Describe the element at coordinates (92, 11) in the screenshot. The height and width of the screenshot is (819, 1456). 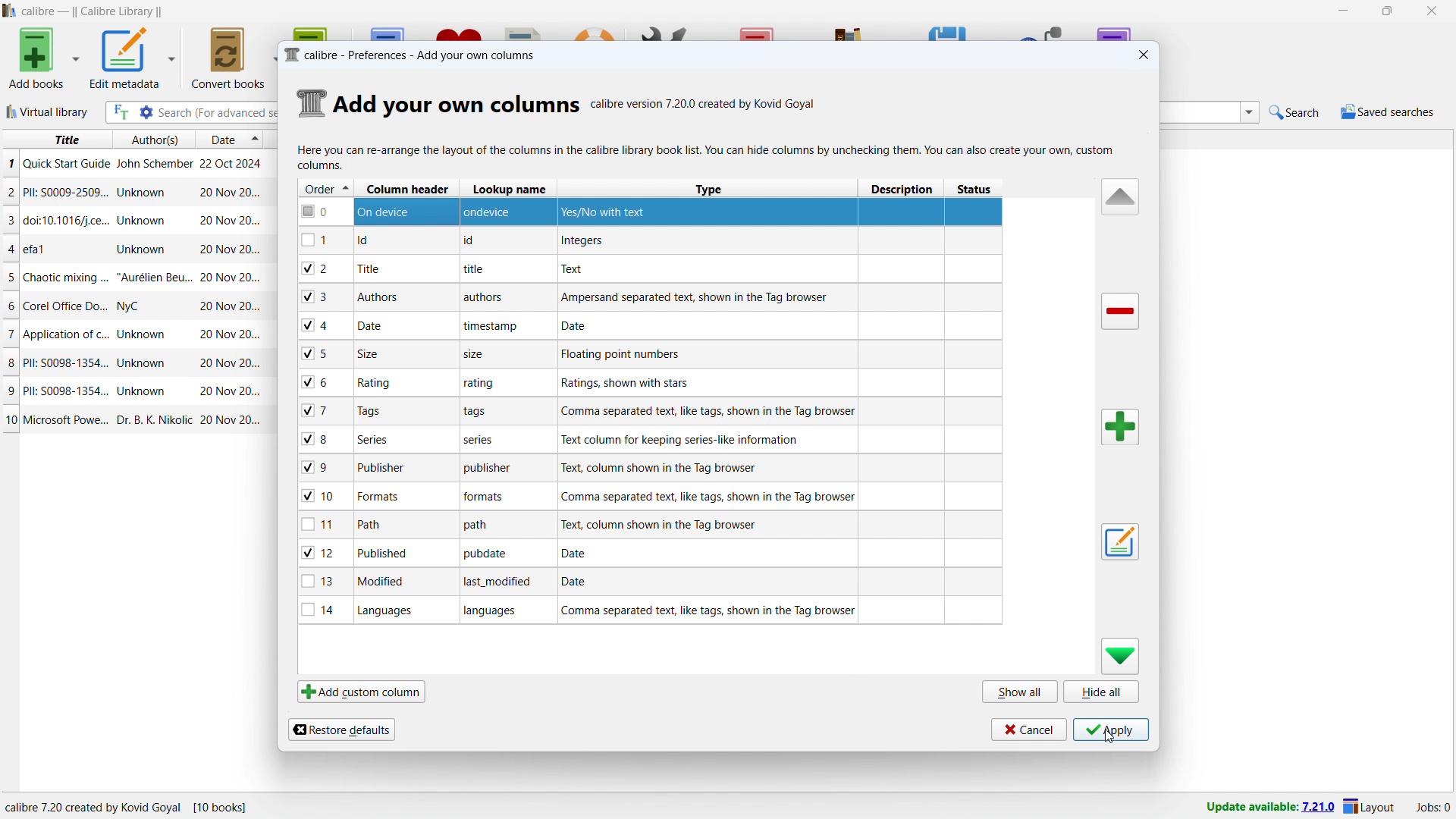
I see `title` at that location.